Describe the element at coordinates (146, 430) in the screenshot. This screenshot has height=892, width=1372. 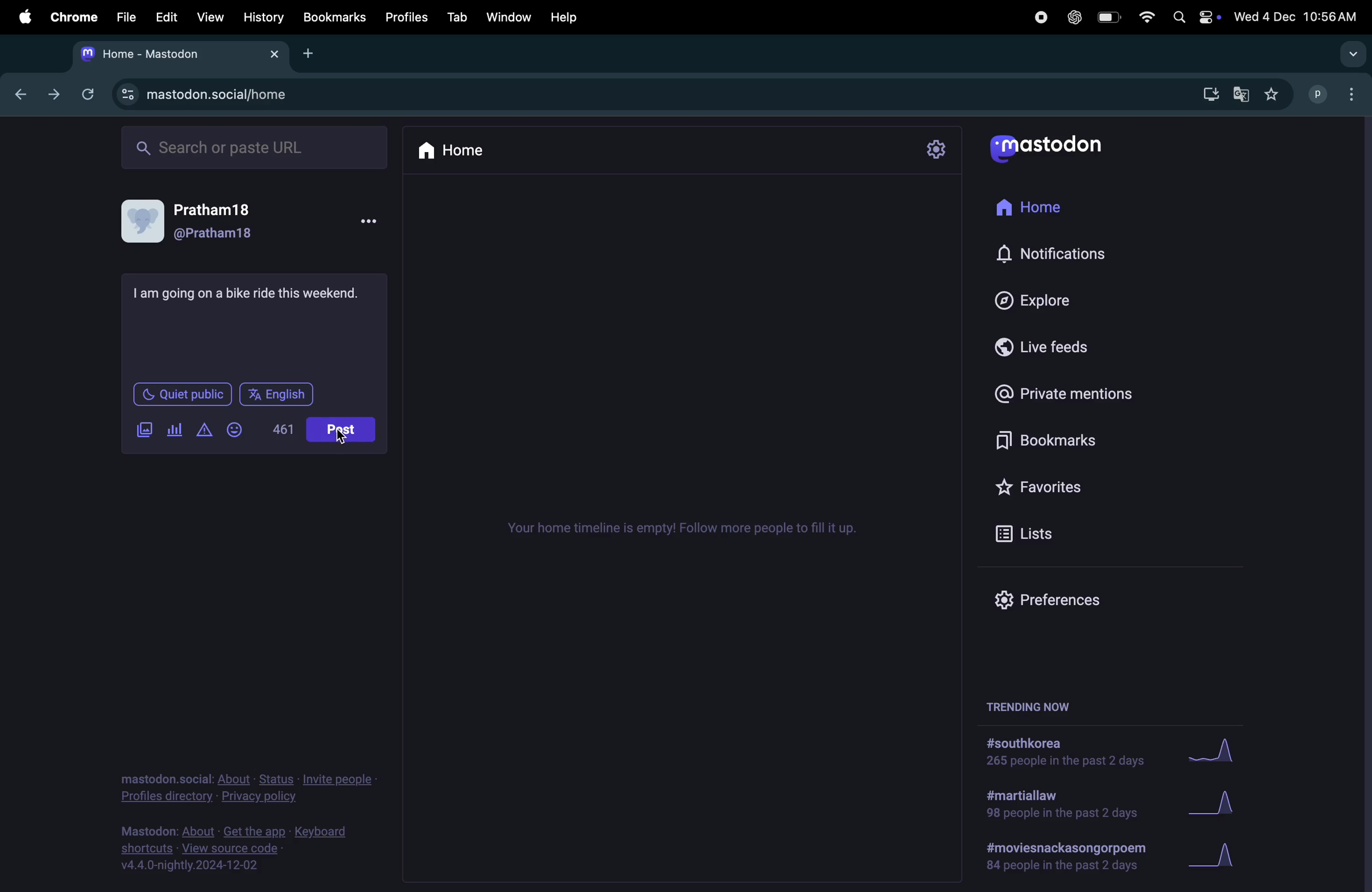
I see `add image` at that location.